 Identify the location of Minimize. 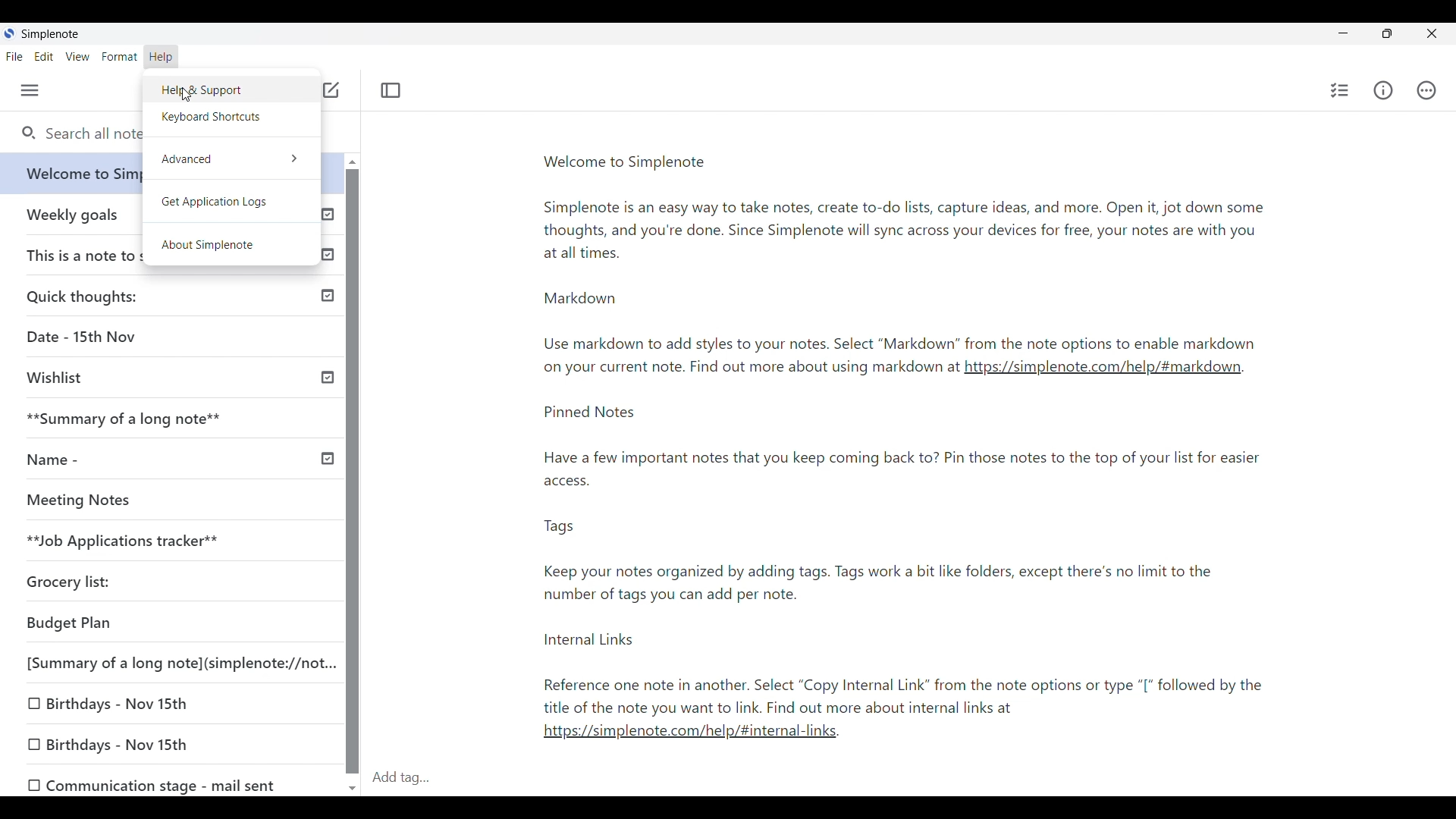
(1343, 33).